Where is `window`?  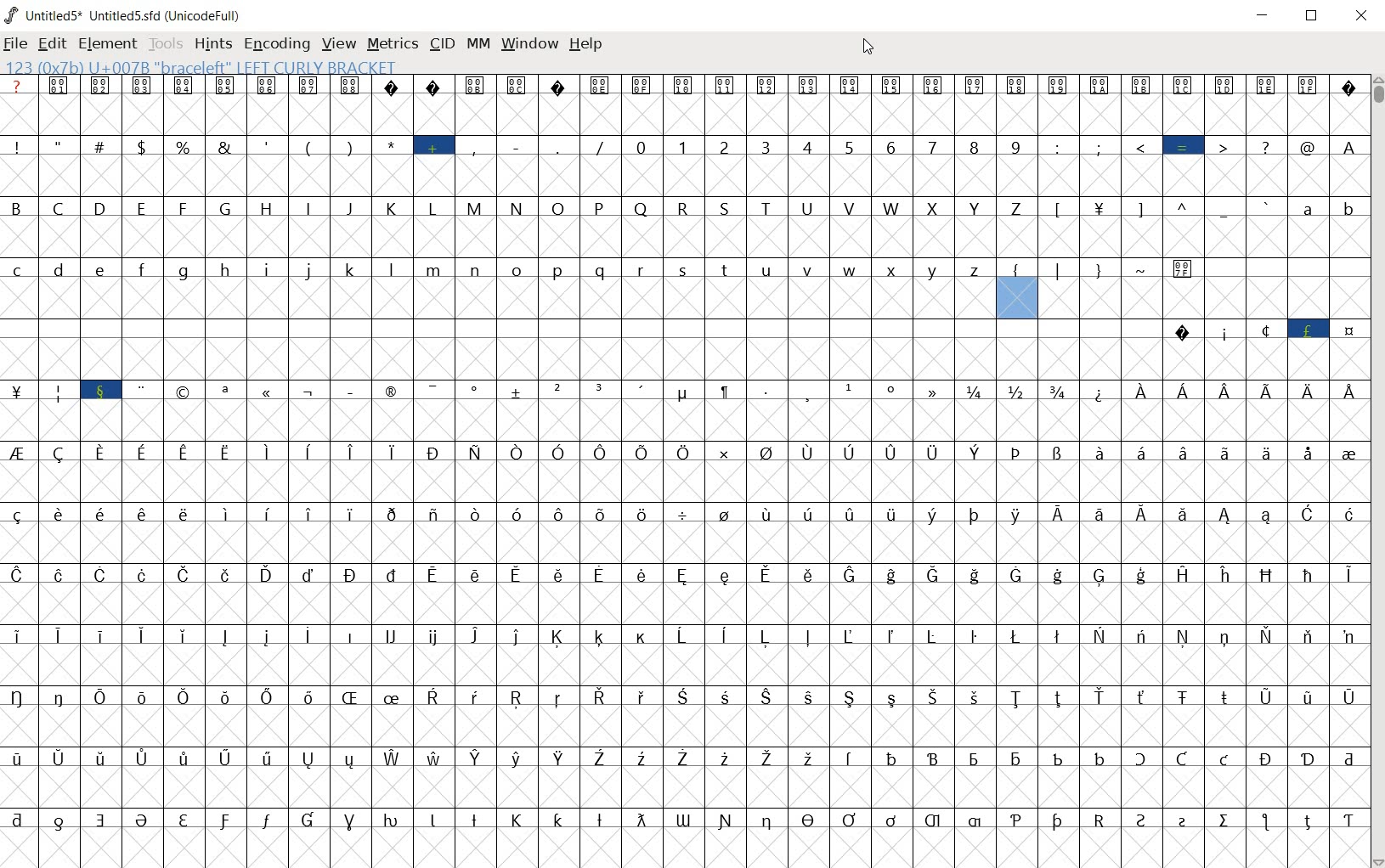
window is located at coordinates (529, 44).